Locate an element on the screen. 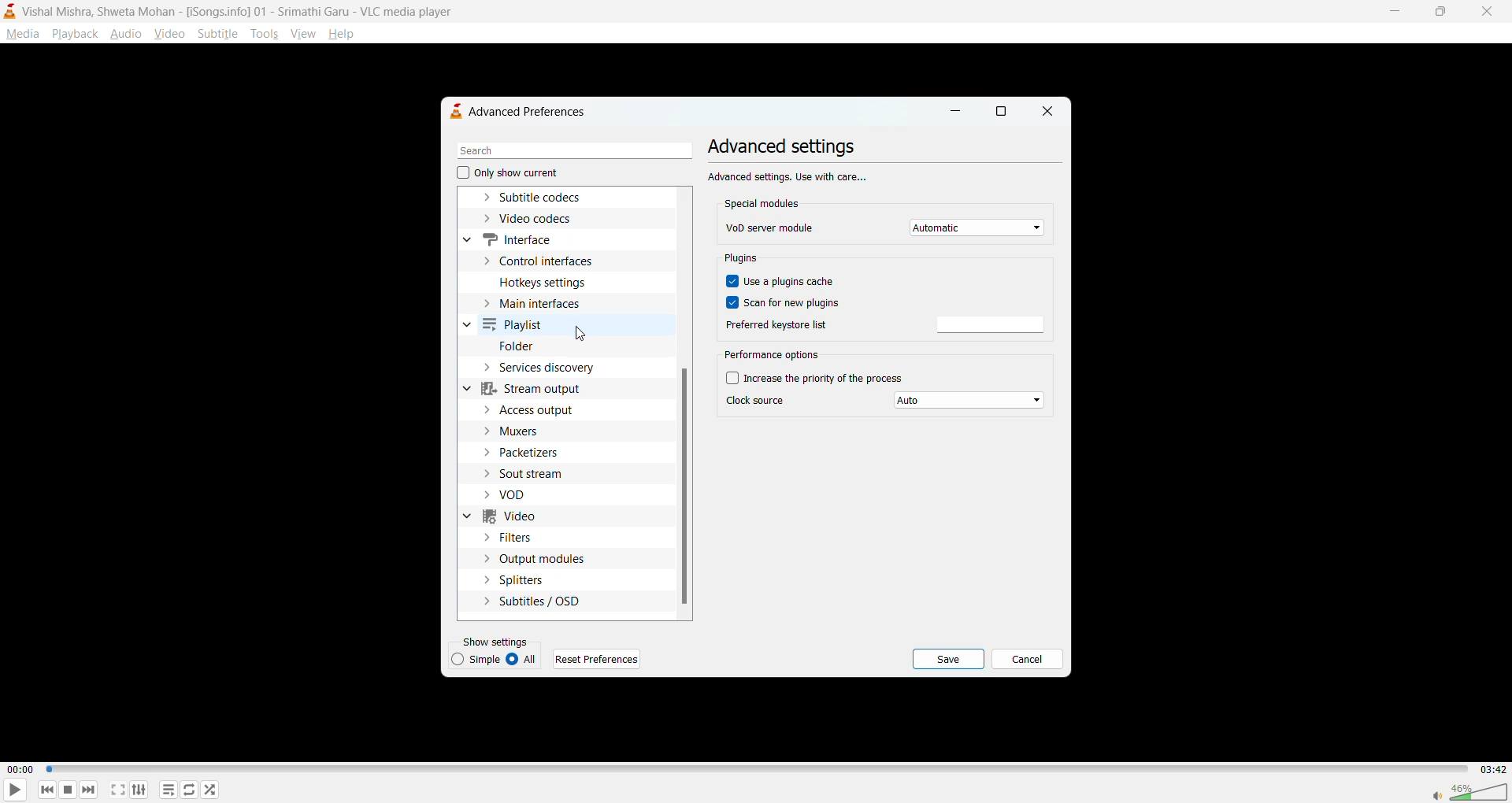 The height and width of the screenshot is (803, 1512). increase the priority of the process is located at coordinates (819, 377).